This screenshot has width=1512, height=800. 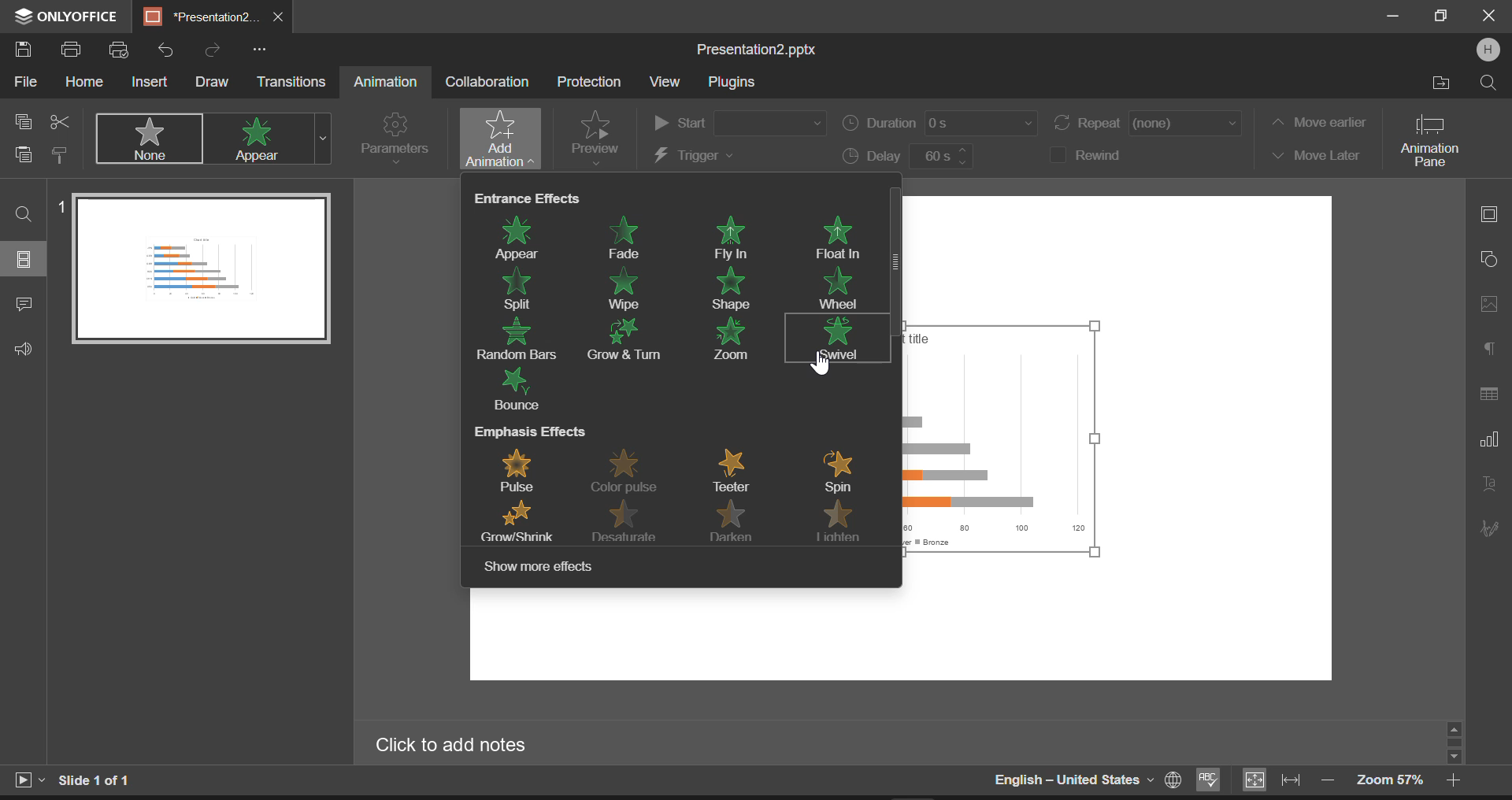 I want to click on Animation, so click(x=384, y=83).